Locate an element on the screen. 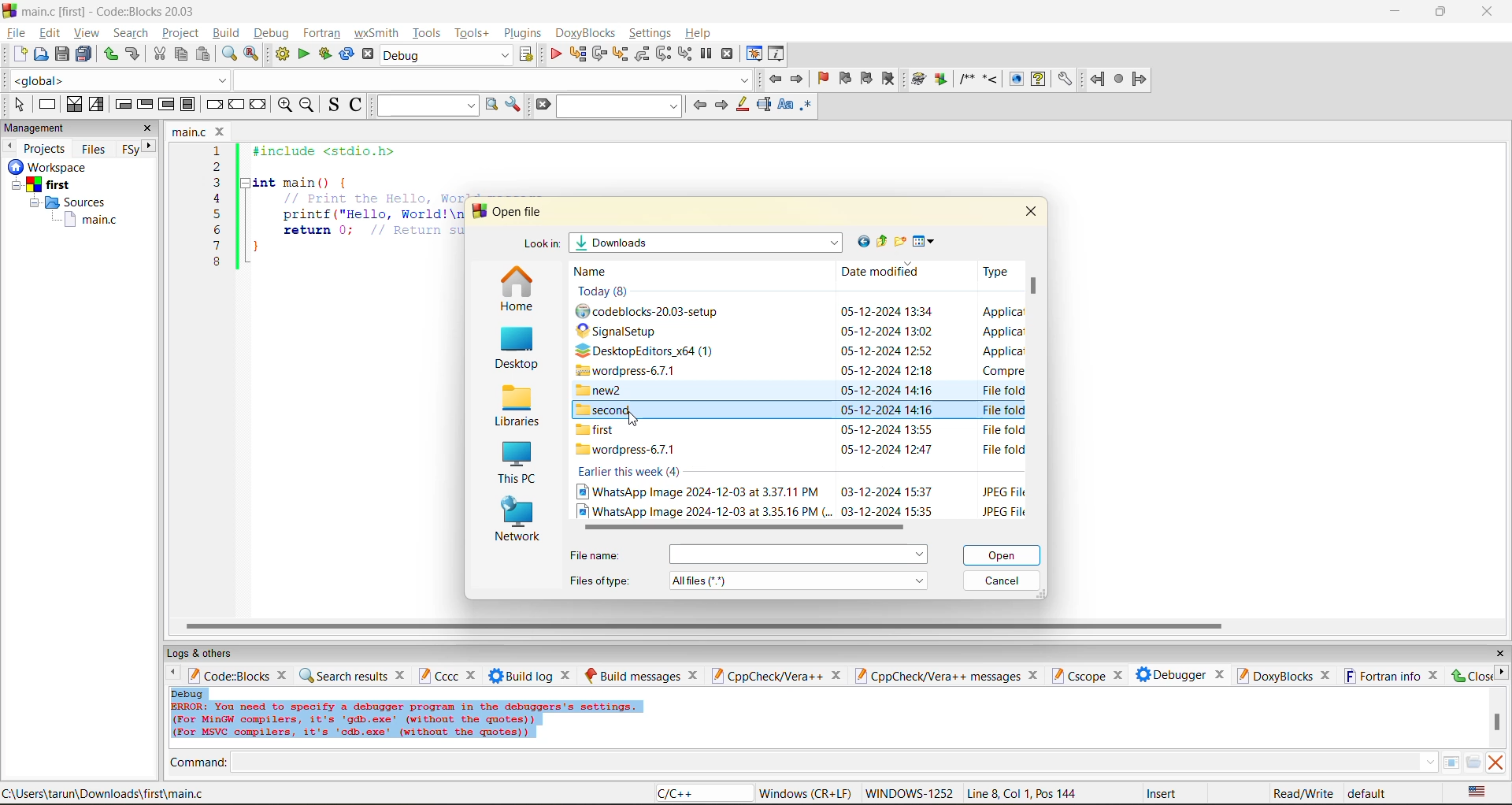 Image resolution: width=1512 pixels, height=805 pixels. menu is located at coordinates (798, 555).